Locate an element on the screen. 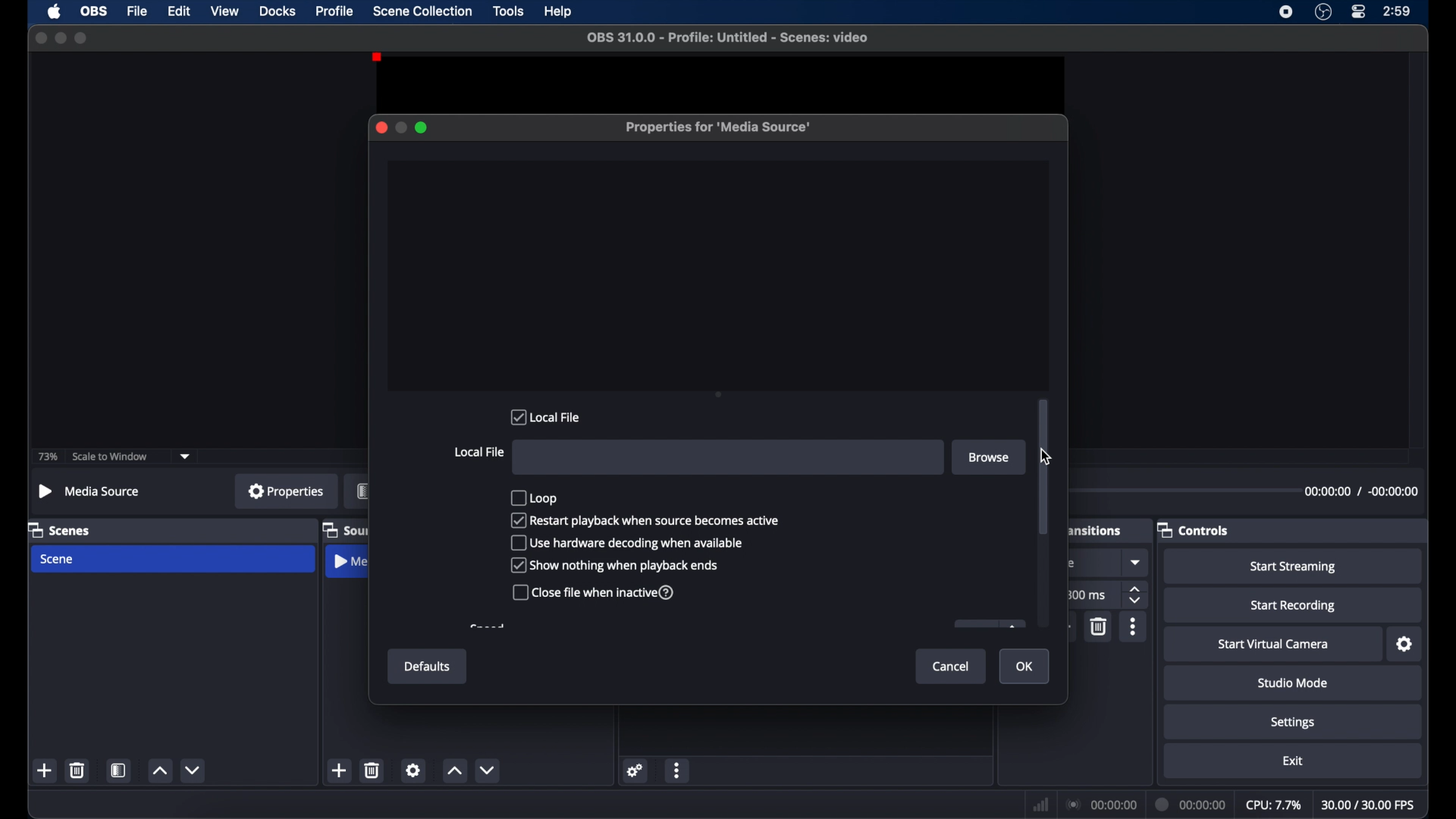 The width and height of the screenshot is (1456, 819). properties is located at coordinates (286, 491).